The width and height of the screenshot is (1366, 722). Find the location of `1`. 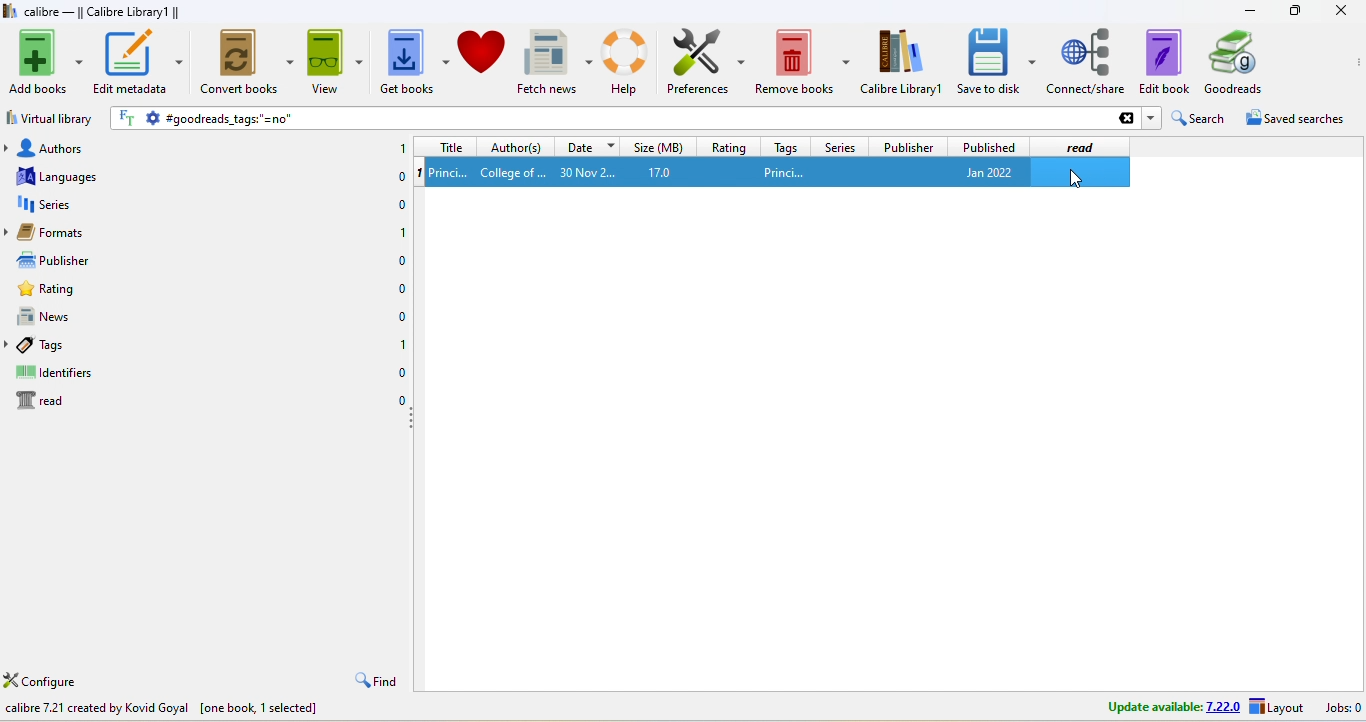

1 is located at coordinates (400, 343).